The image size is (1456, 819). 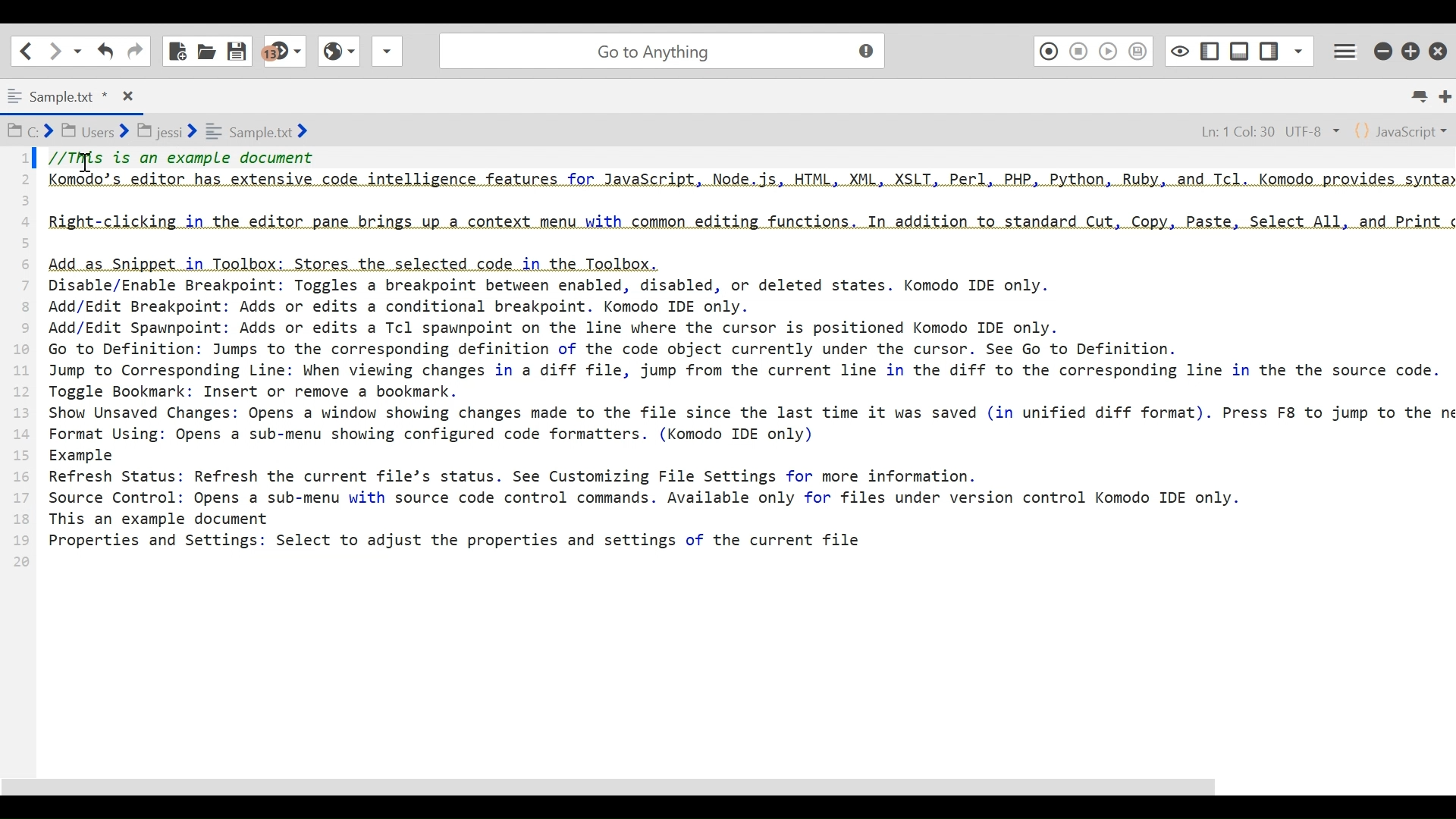 I want to click on Go forward one loaction, so click(x=54, y=51).